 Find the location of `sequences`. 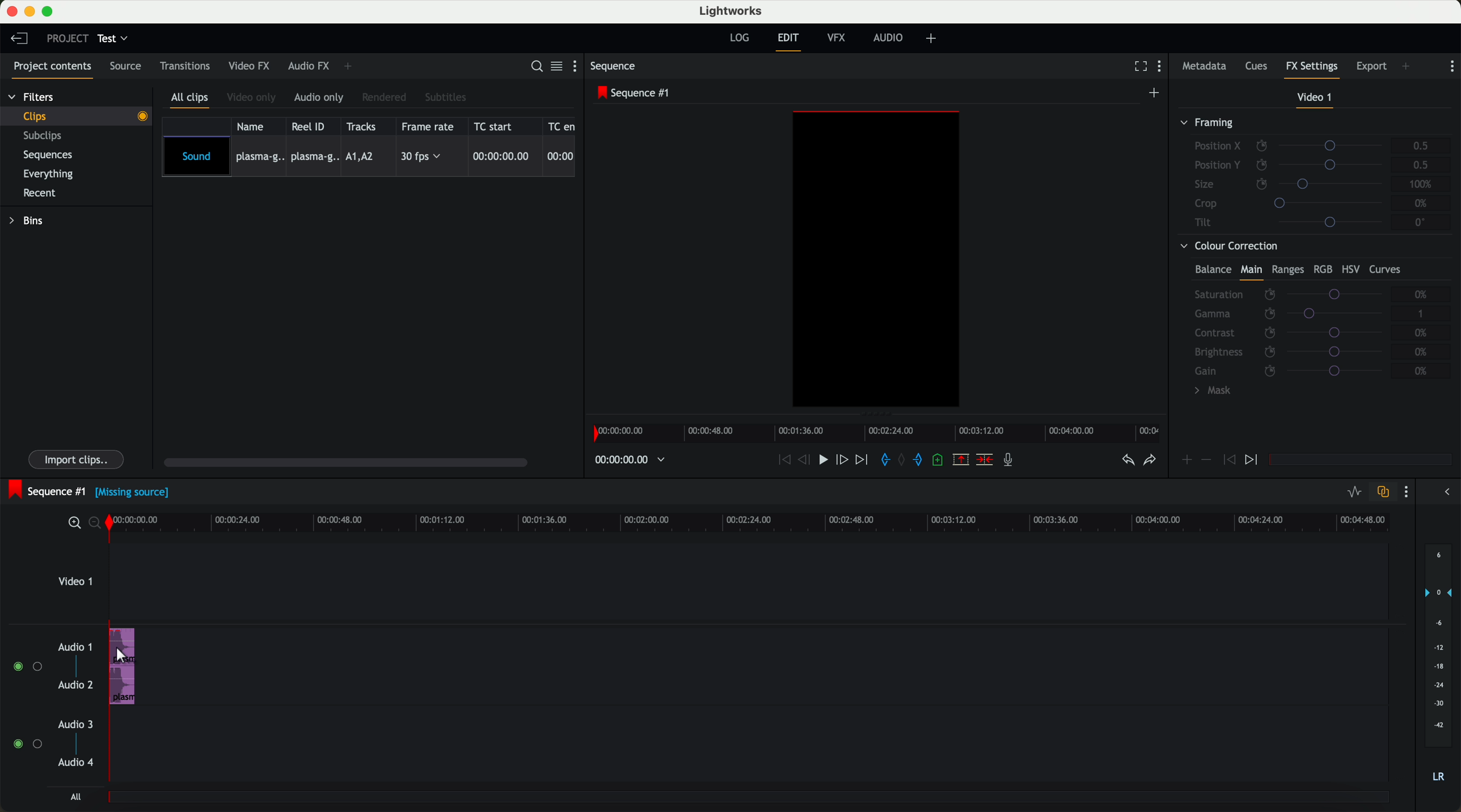

sequences is located at coordinates (52, 157).